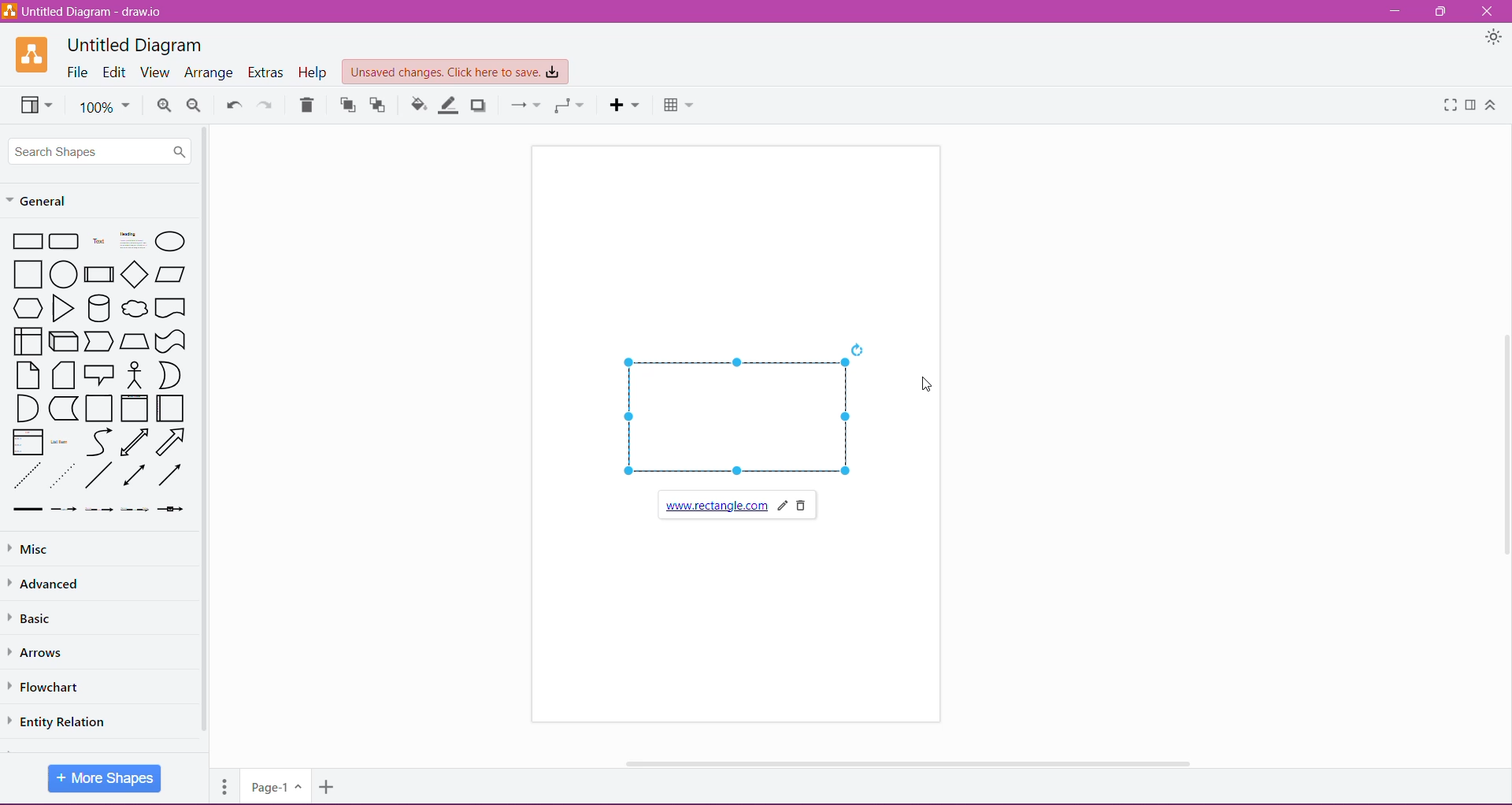 Image resolution: width=1512 pixels, height=805 pixels. I want to click on Appearance, so click(1494, 38).